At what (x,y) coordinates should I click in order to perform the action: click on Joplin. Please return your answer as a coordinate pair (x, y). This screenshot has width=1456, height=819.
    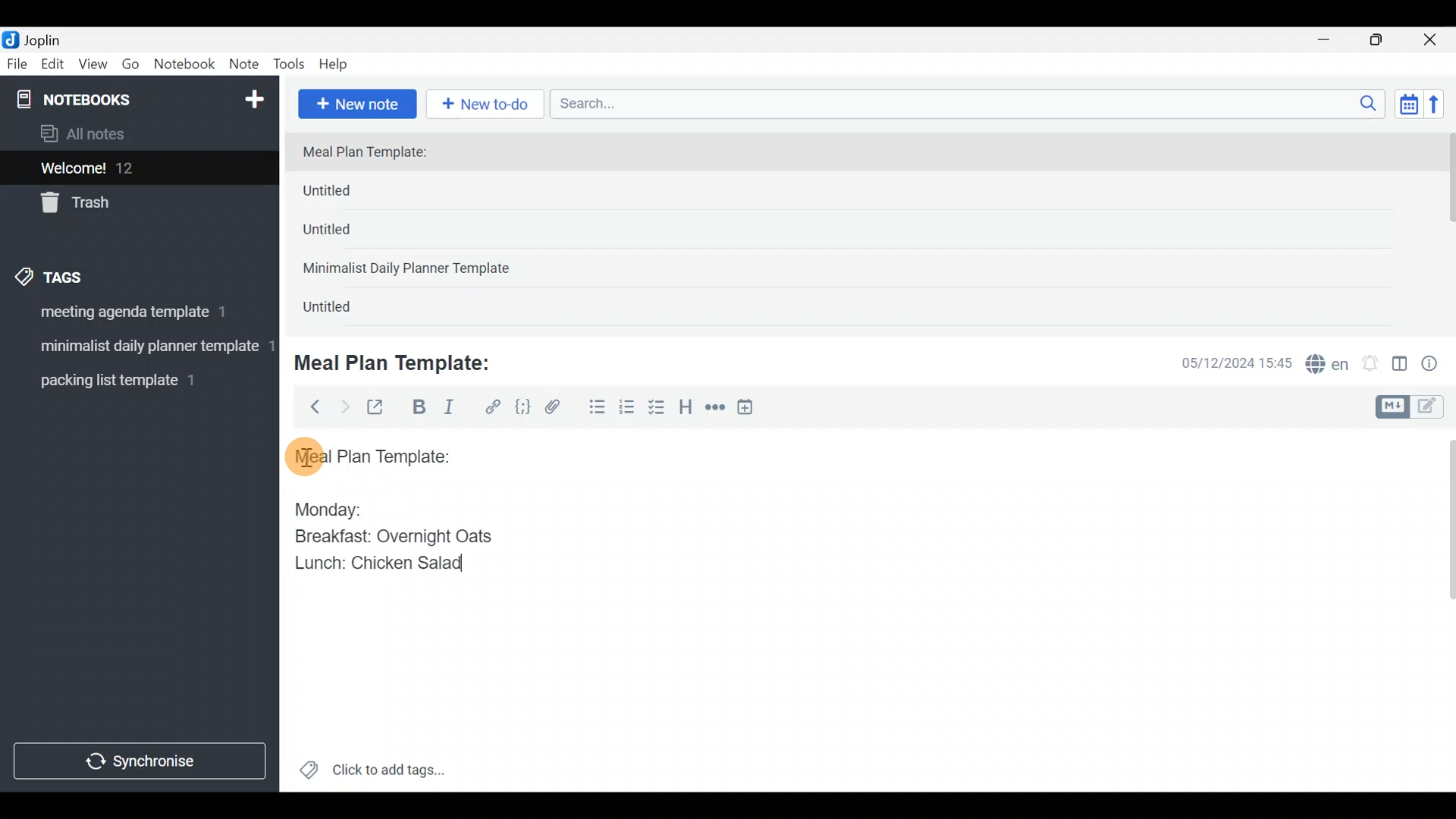
    Looking at the image, I should click on (52, 38).